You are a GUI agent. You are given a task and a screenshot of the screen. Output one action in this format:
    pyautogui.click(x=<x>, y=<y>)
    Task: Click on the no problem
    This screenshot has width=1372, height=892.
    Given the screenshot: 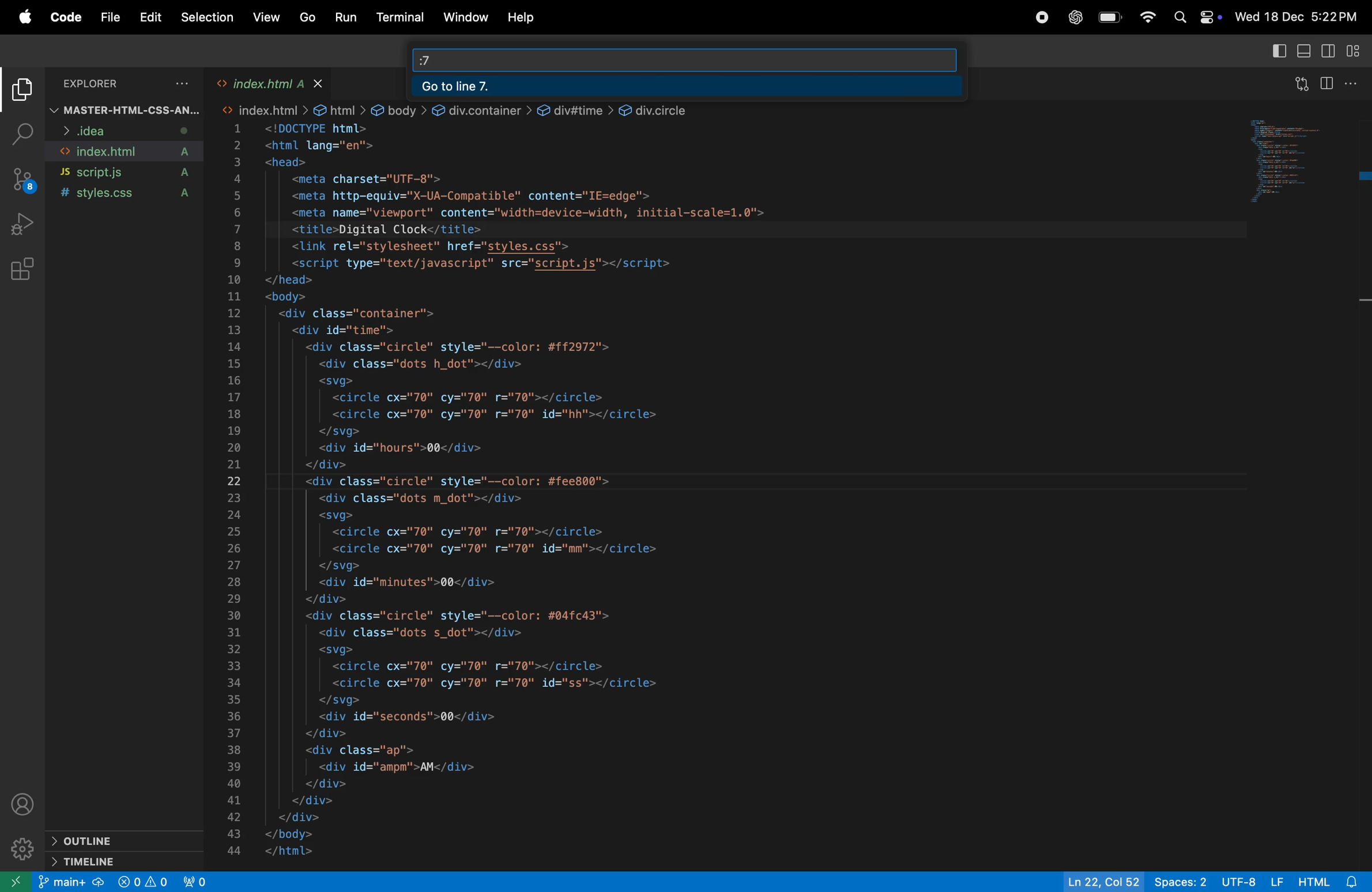 What is the action you would take?
    pyautogui.click(x=142, y=882)
    